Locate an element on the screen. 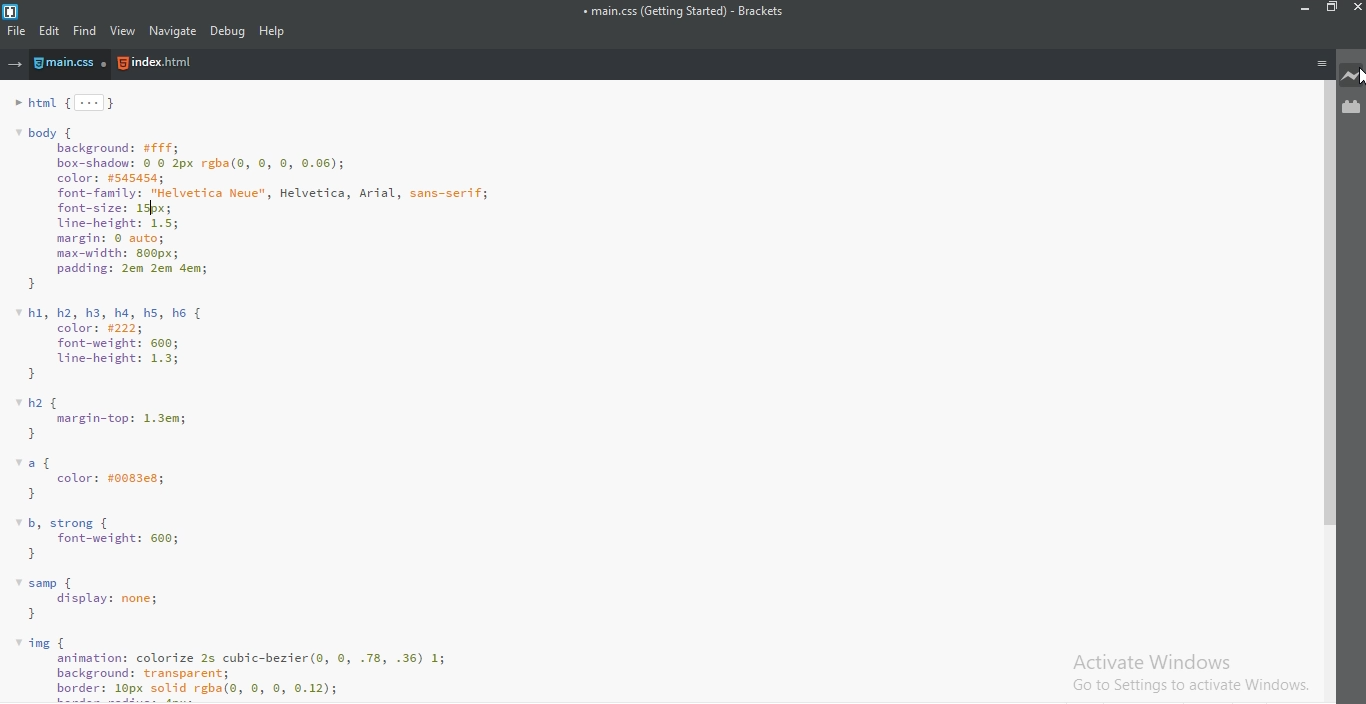 This screenshot has width=1366, height=704. view is located at coordinates (124, 32).